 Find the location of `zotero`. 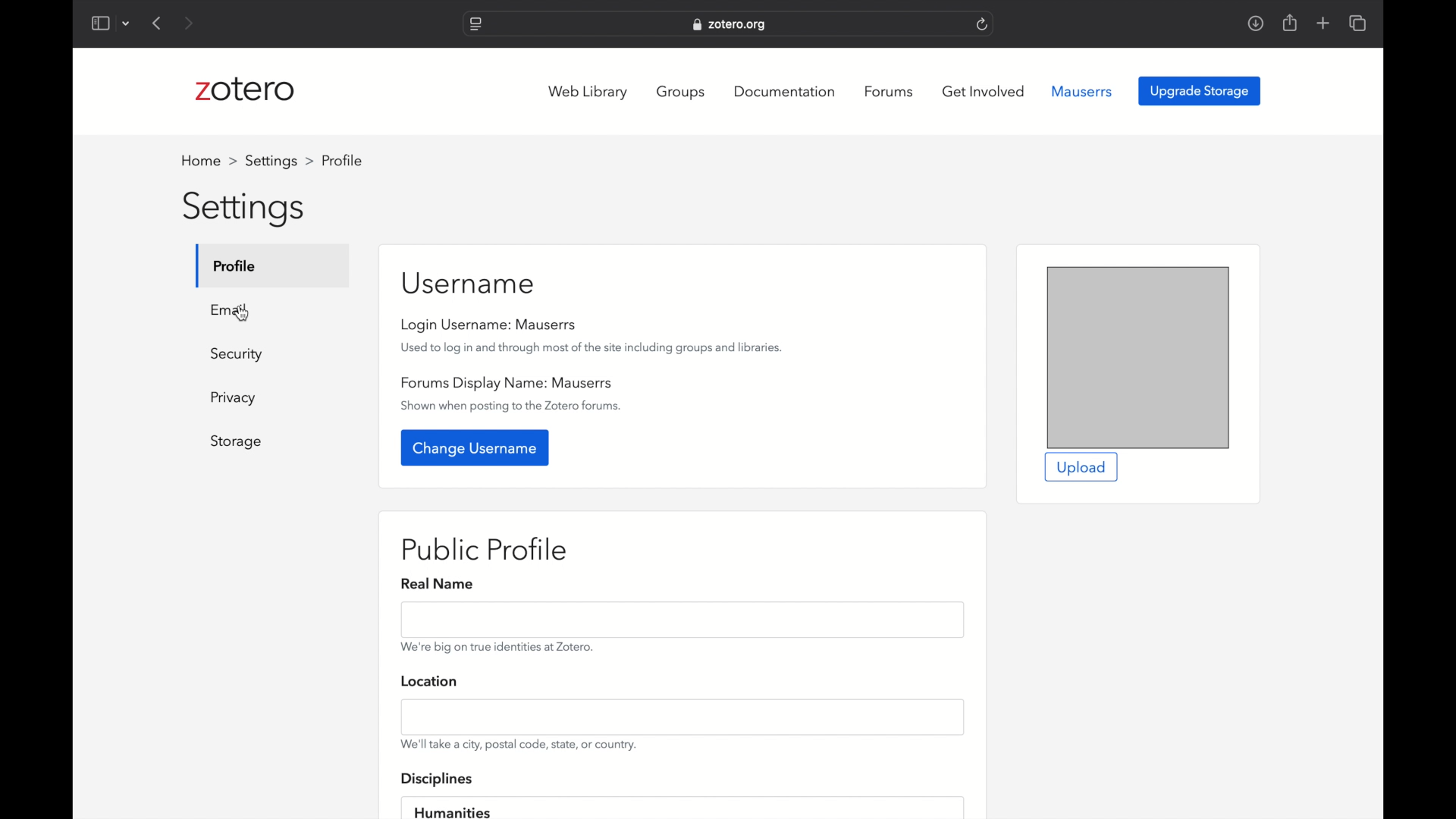

zotero is located at coordinates (244, 89).